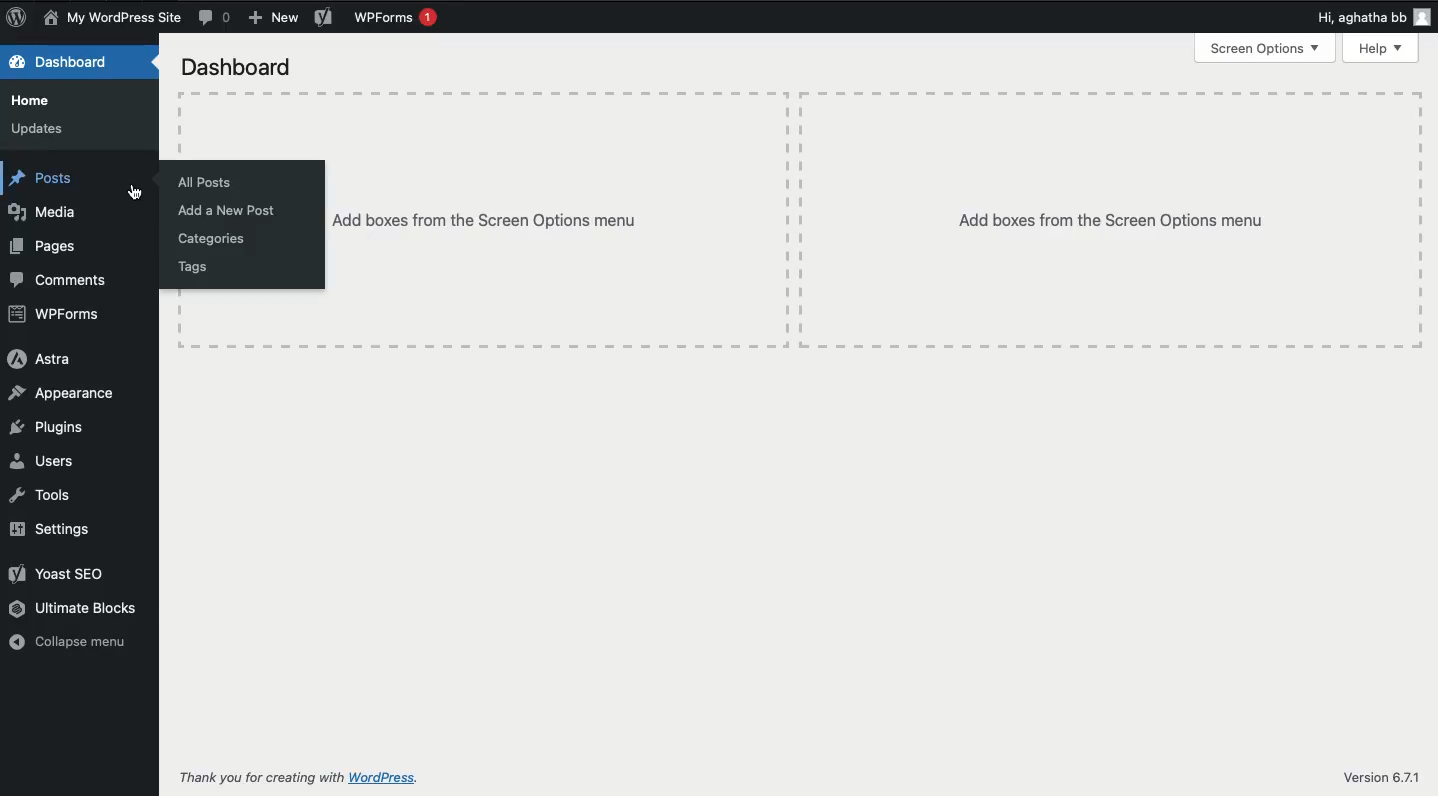  What do you see at coordinates (298, 778) in the screenshot?
I see `Thank you for creating with WordPress` at bounding box center [298, 778].